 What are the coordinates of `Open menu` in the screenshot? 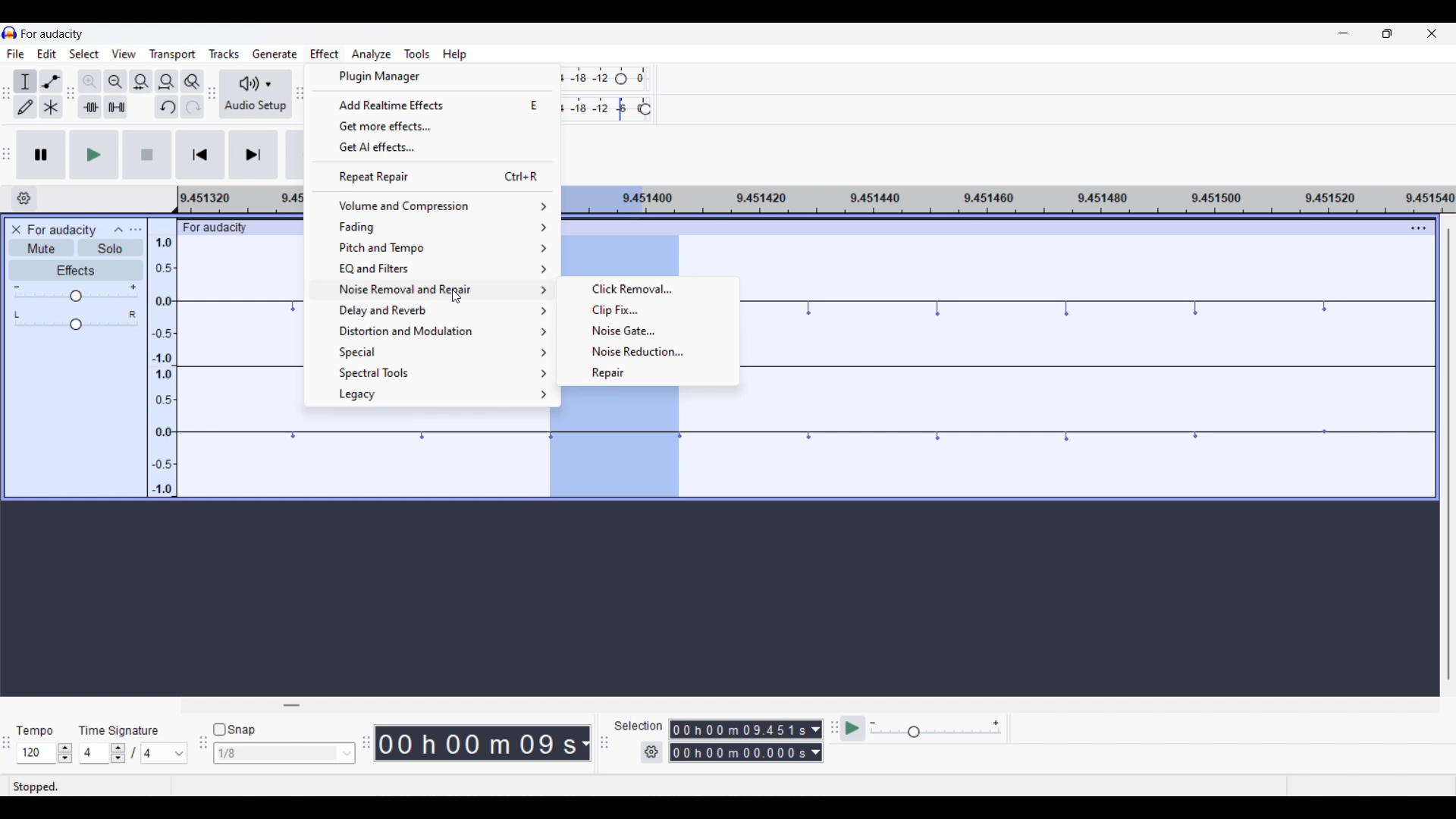 It's located at (136, 230).